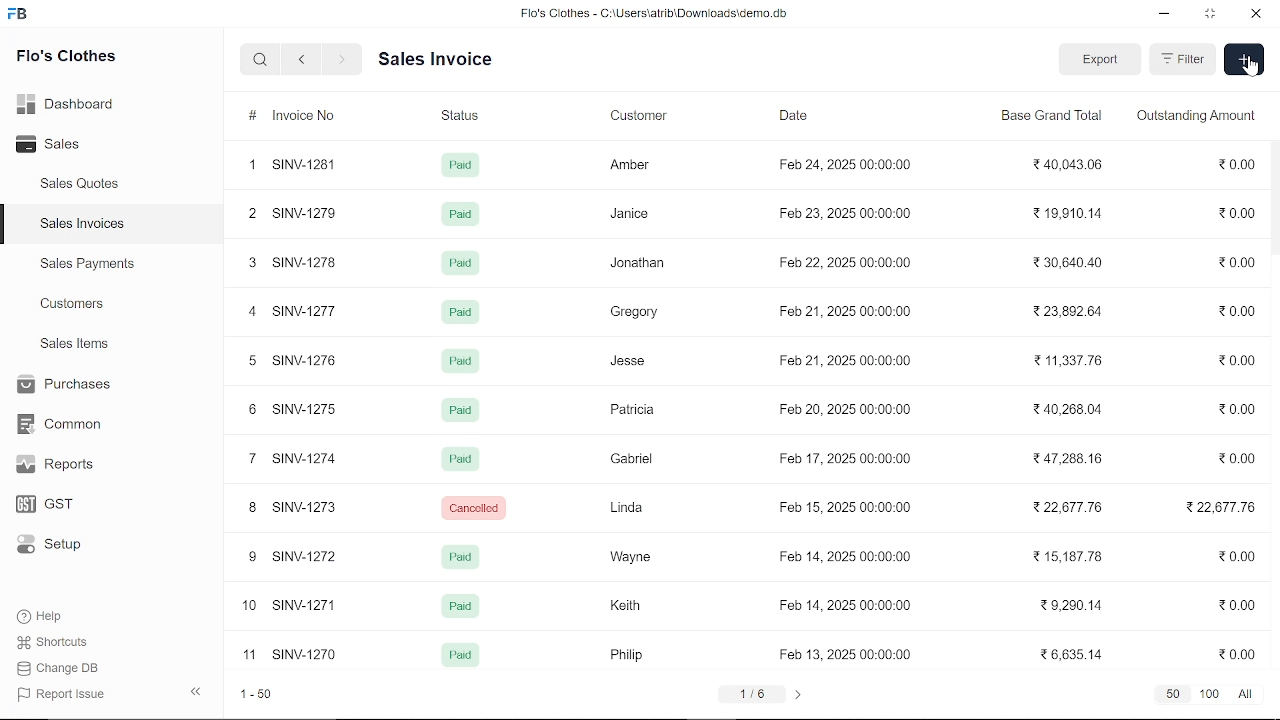  What do you see at coordinates (82, 224) in the screenshot?
I see `Sales Invoices` at bounding box center [82, 224].